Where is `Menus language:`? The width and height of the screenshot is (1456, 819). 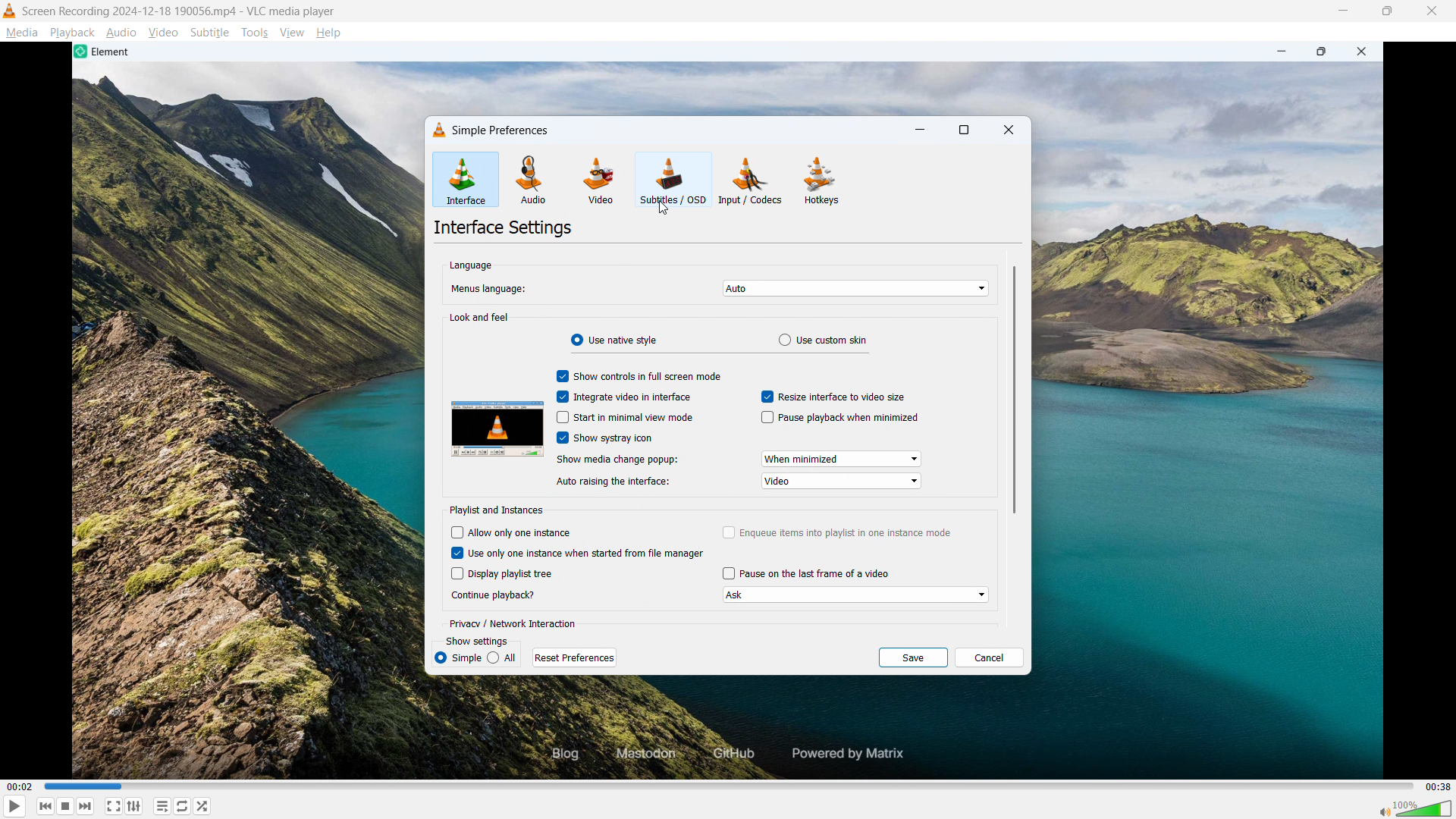
Menus language: is located at coordinates (497, 288).